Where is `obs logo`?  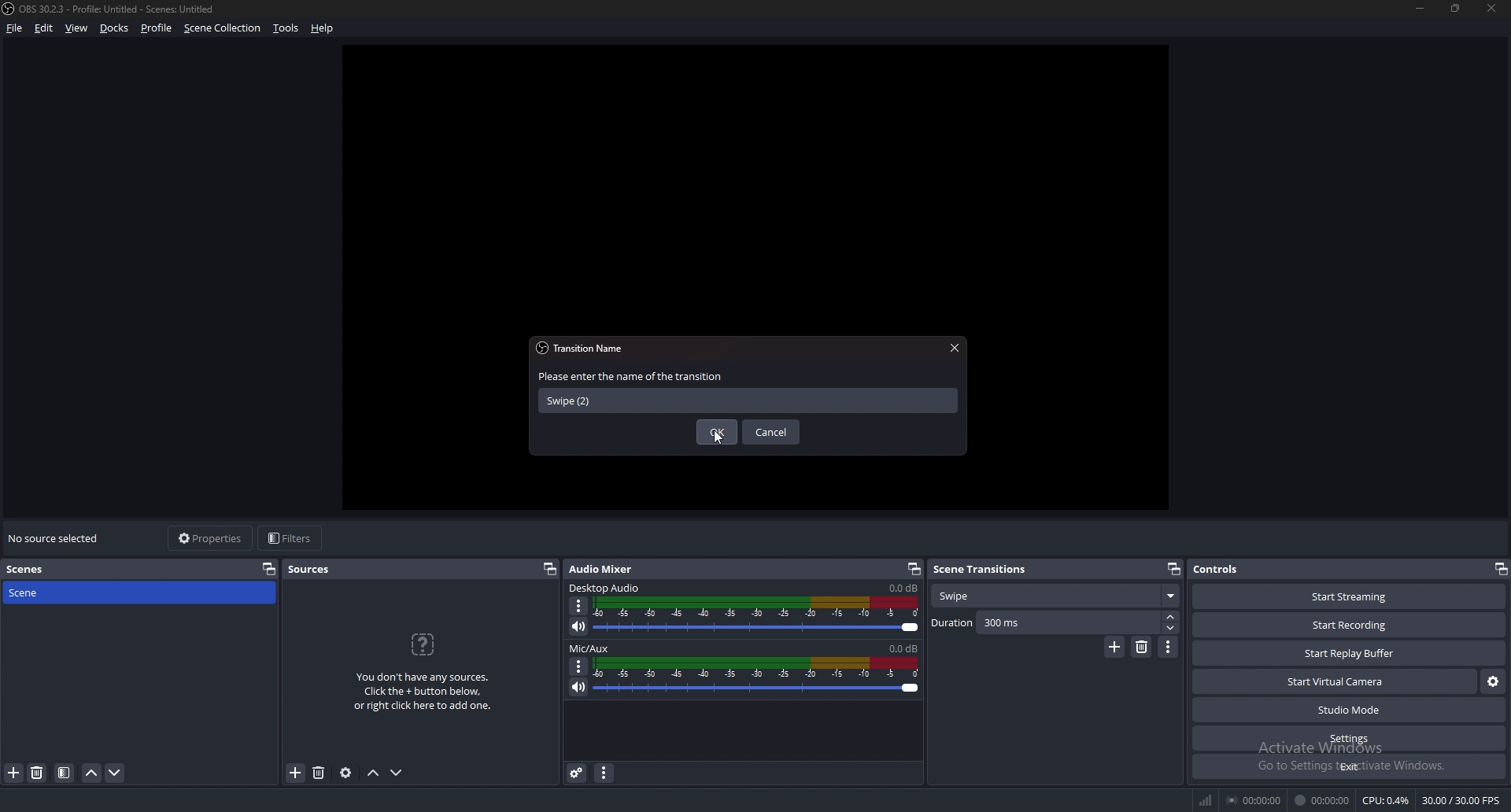
obs logo is located at coordinates (9, 10).